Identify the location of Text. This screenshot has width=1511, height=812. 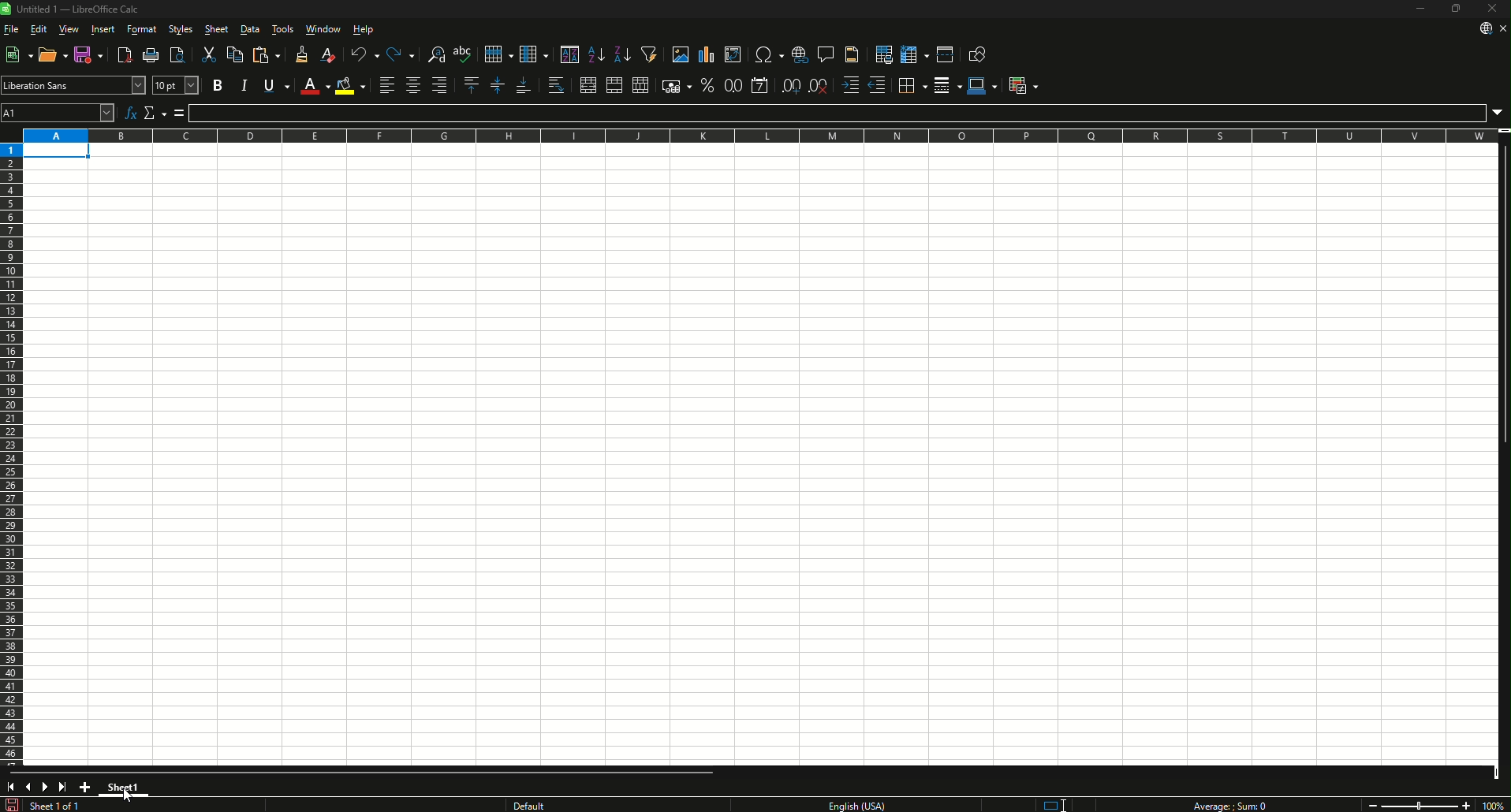
(580, 804).